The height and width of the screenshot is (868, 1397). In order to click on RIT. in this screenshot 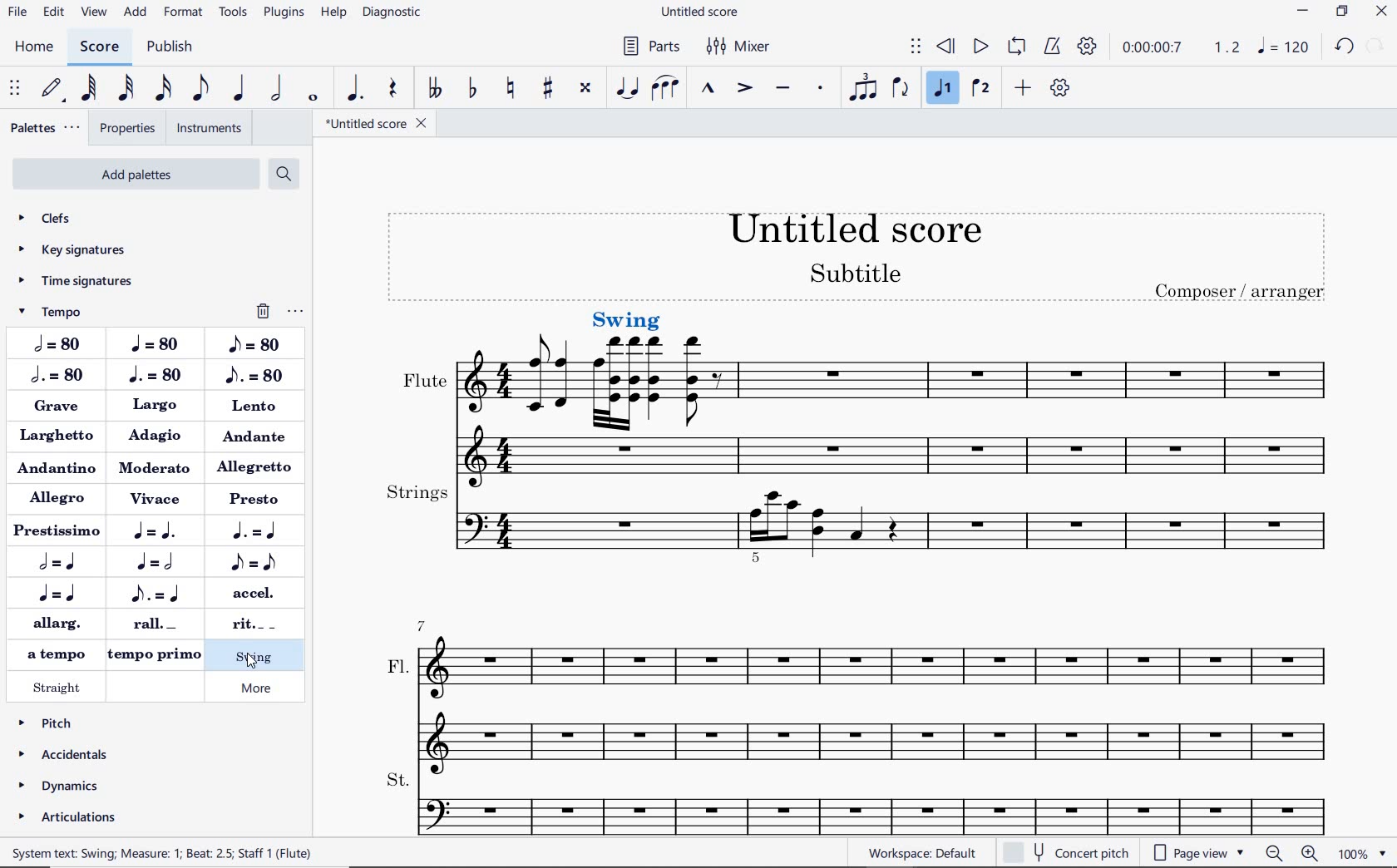, I will do `click(247, 624)`.